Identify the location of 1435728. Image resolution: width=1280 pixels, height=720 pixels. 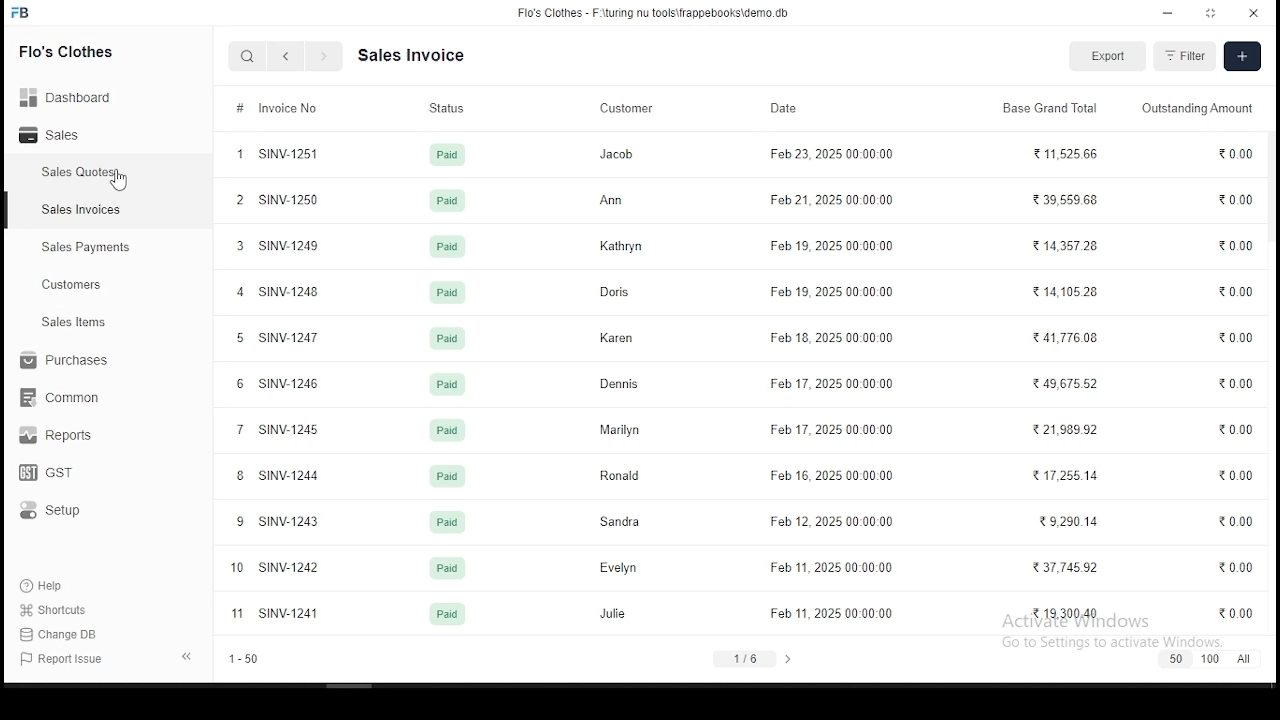
(1074, 244).